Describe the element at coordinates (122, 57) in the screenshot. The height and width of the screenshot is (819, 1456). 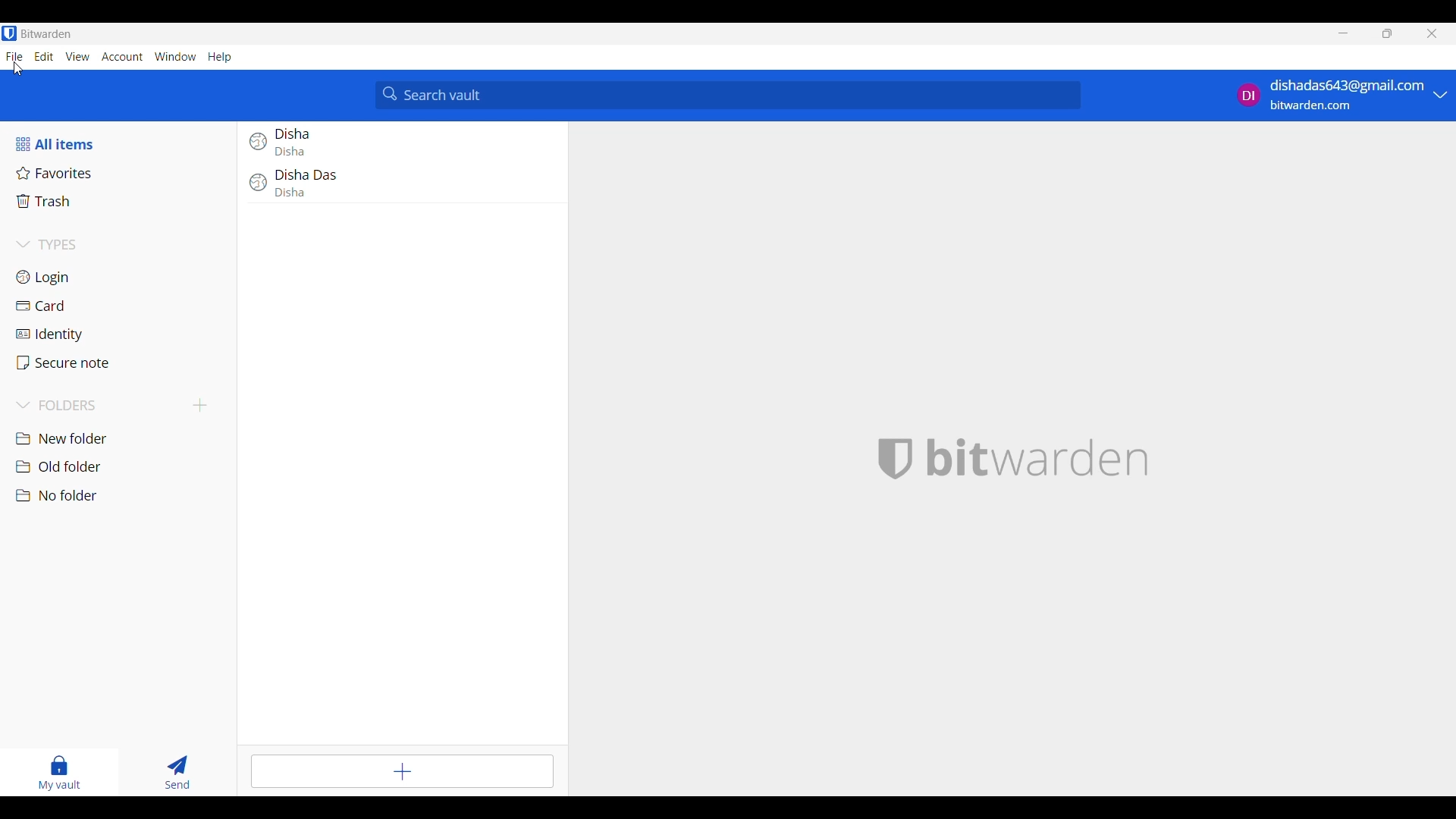
I see `Account menu` at that location.